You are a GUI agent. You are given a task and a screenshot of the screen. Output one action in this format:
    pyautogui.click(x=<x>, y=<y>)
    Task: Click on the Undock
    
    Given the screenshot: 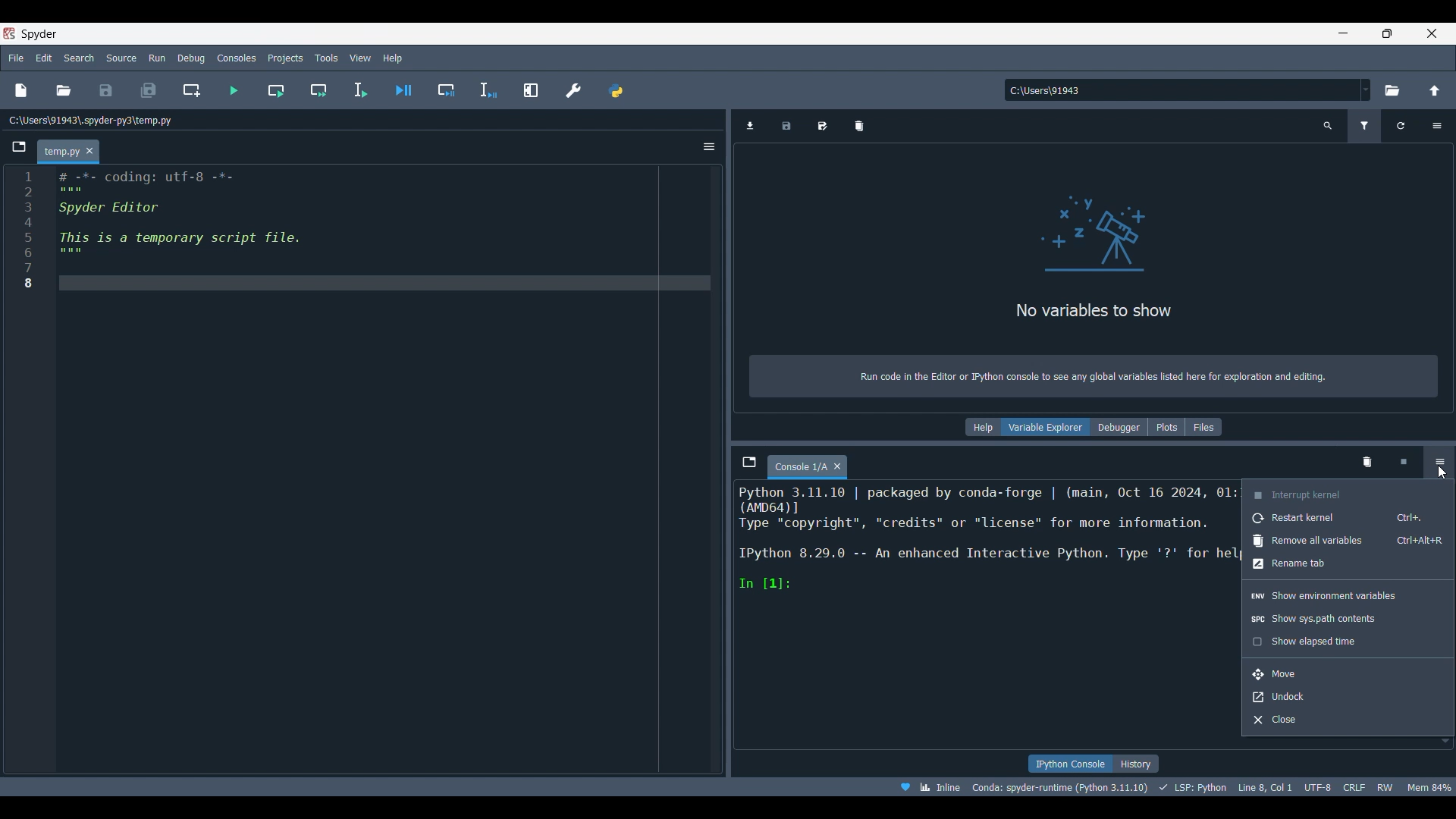 What is the action you would take?
    pyautogui.click(x=1348, y=698)
    